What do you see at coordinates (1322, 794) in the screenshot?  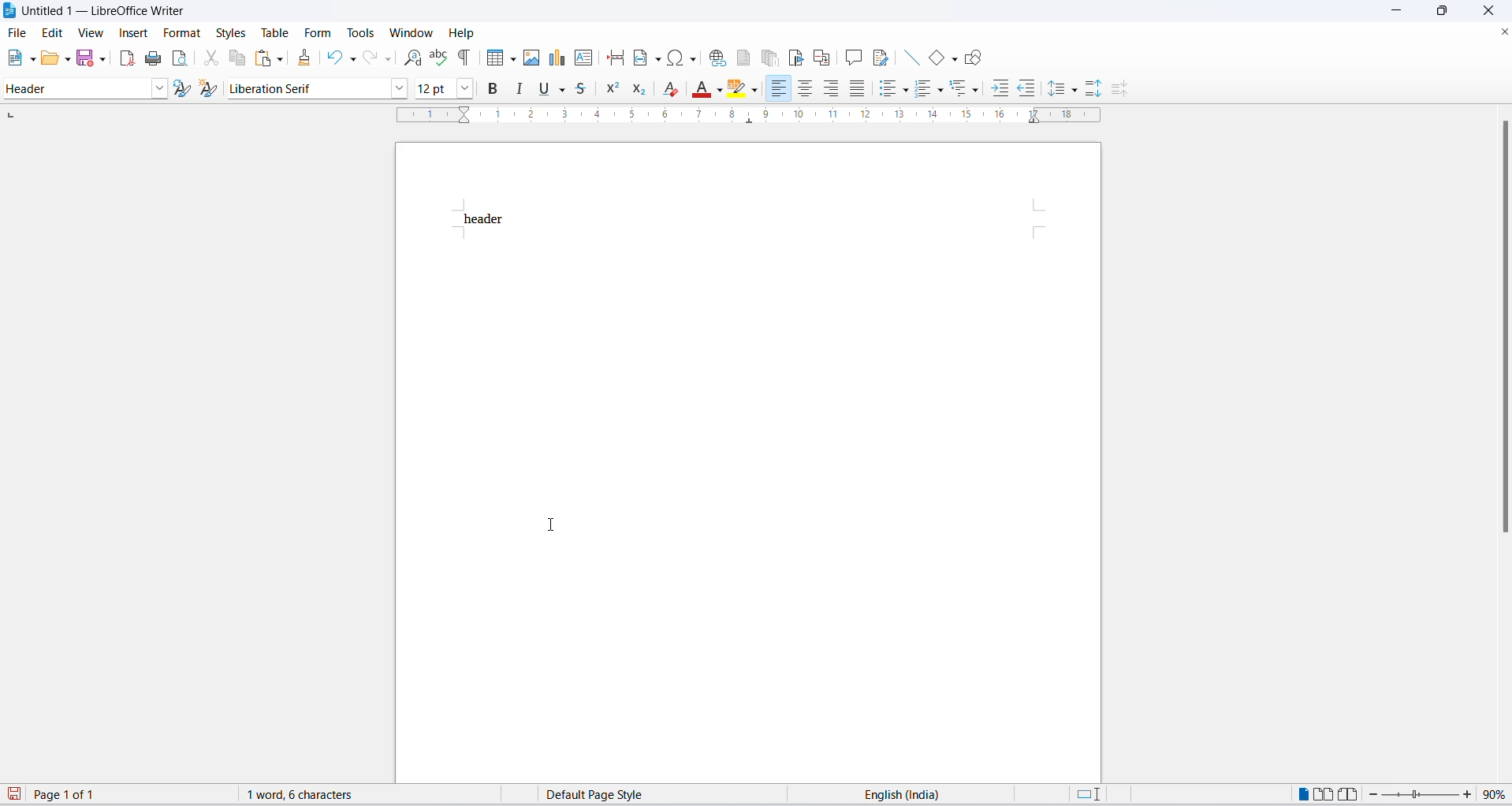 I see `multipage view` at bounding box center [1322, 794].